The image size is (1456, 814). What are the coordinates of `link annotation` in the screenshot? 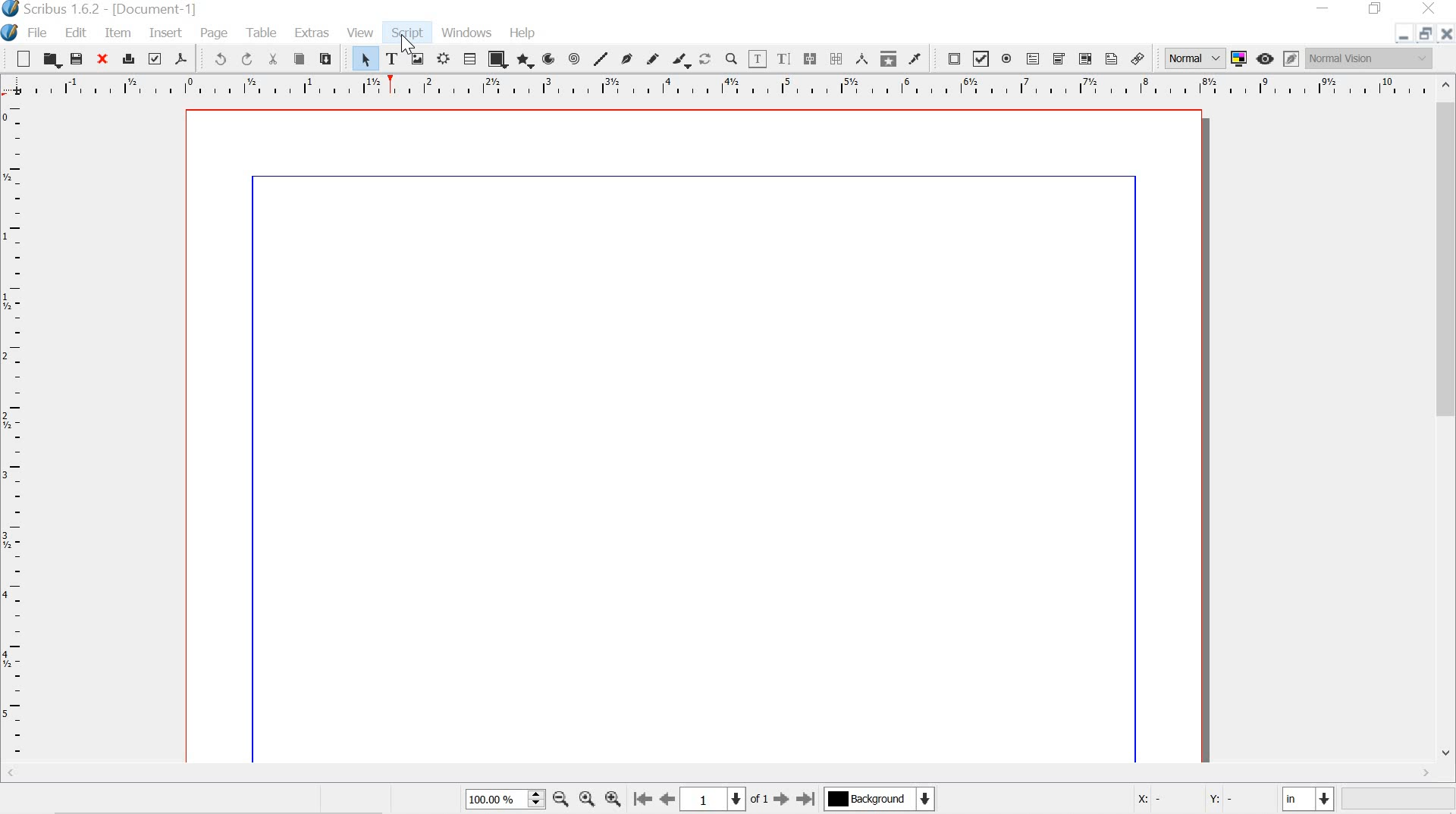 It's located at (1140, 59).